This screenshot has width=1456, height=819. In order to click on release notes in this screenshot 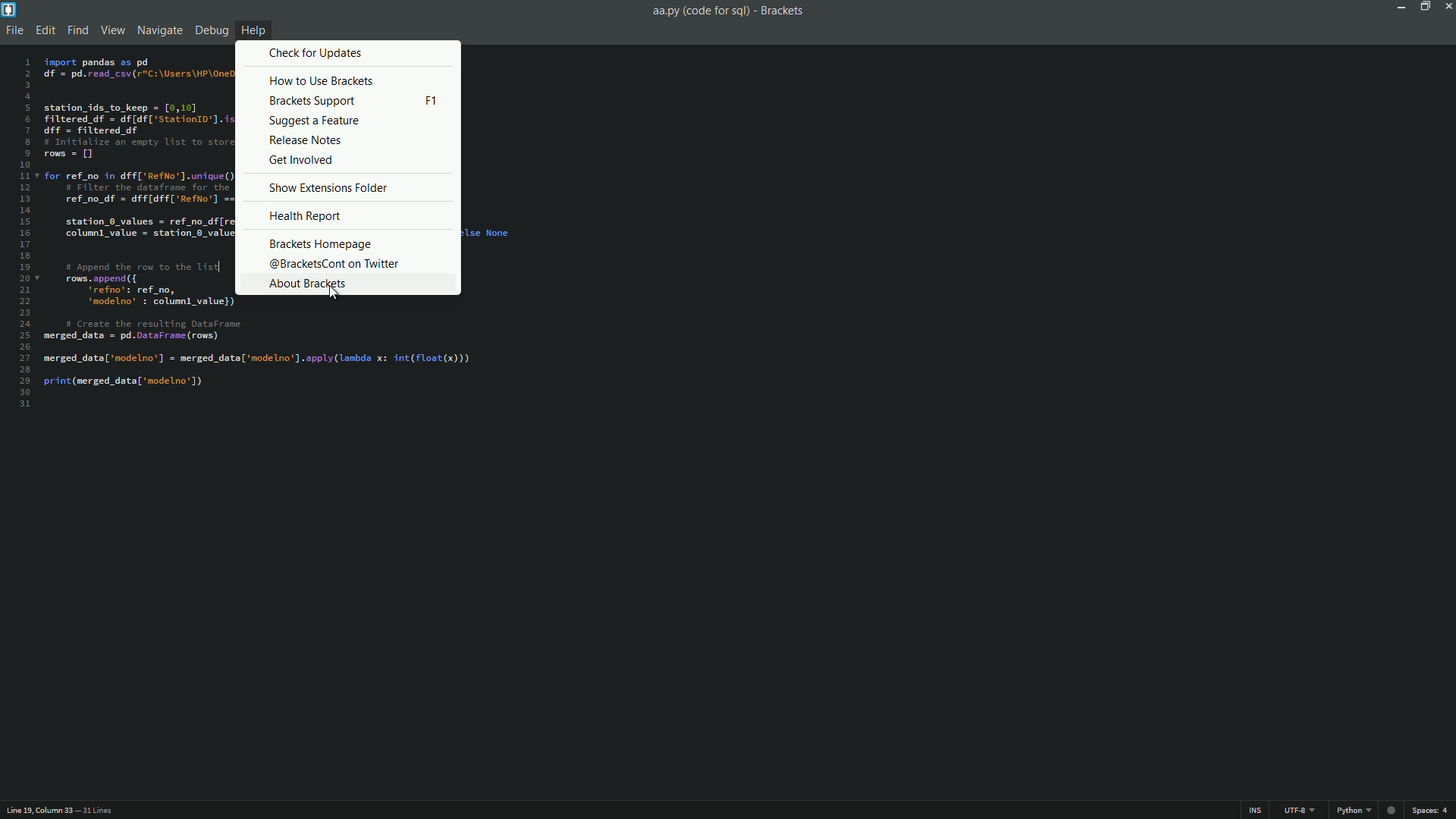, I will do `click(306, 140)`.